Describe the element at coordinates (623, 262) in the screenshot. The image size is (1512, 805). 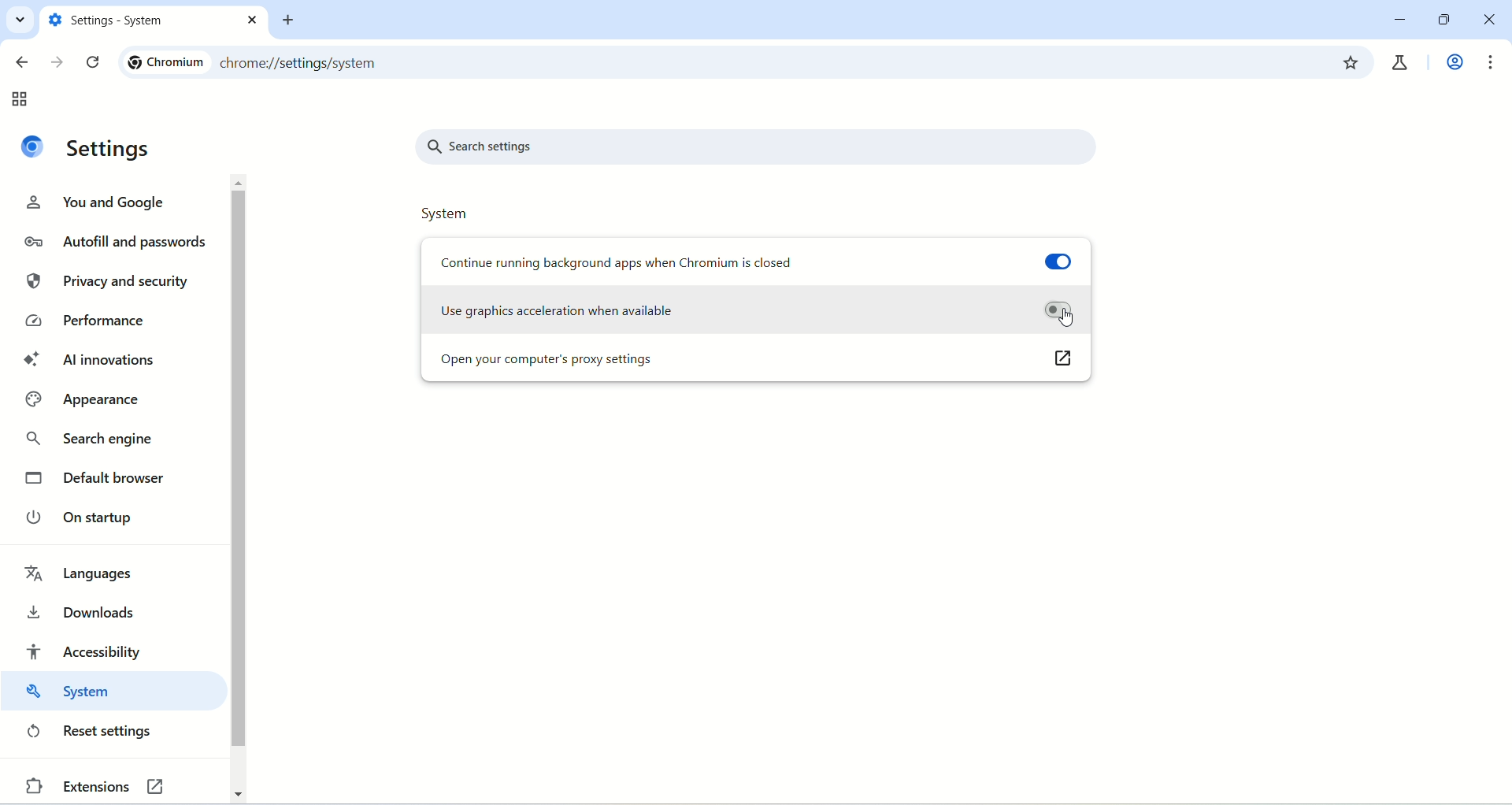
I see `Continue running background apps when Chromium is closed` at that location.